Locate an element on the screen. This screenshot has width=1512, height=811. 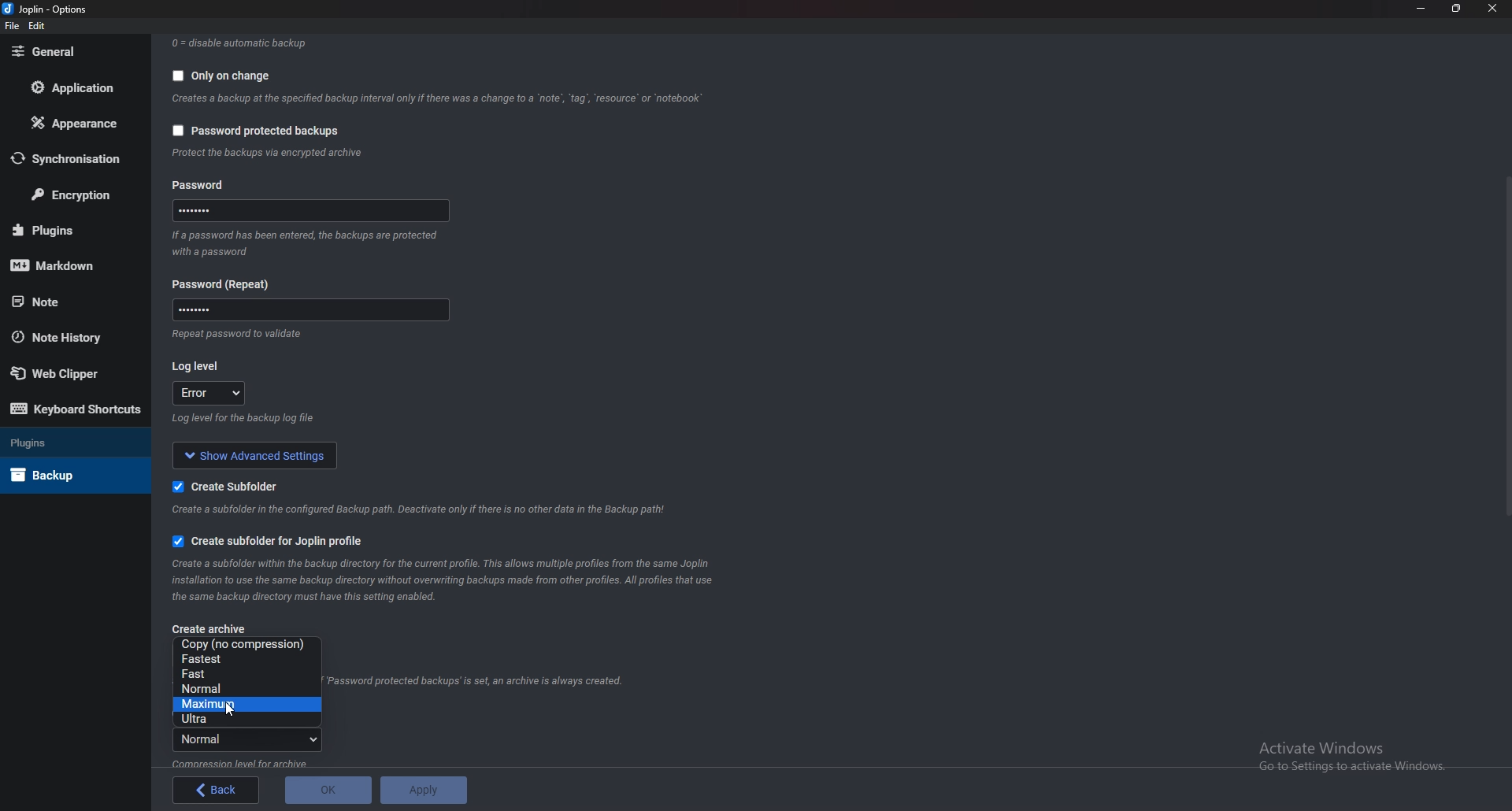
Maximum is located at coordinates (240, 704).